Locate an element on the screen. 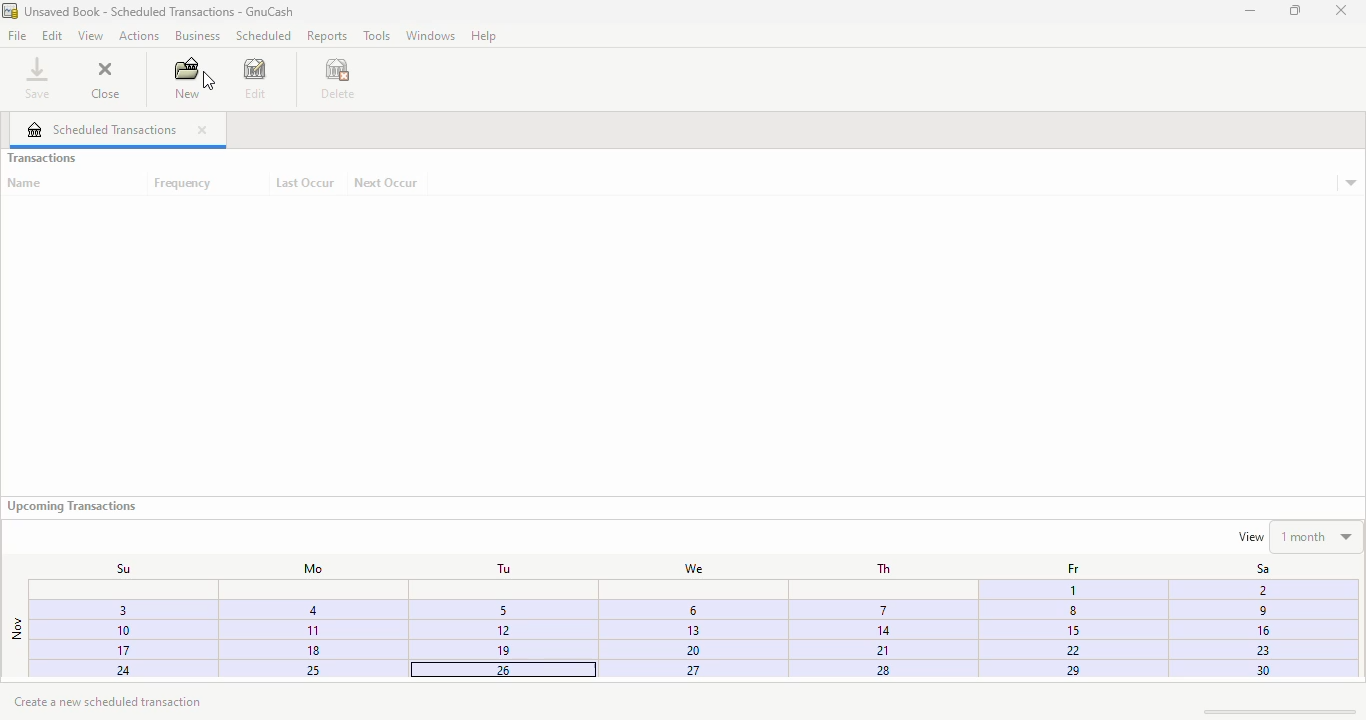  new is located at coordinates (186, 77).